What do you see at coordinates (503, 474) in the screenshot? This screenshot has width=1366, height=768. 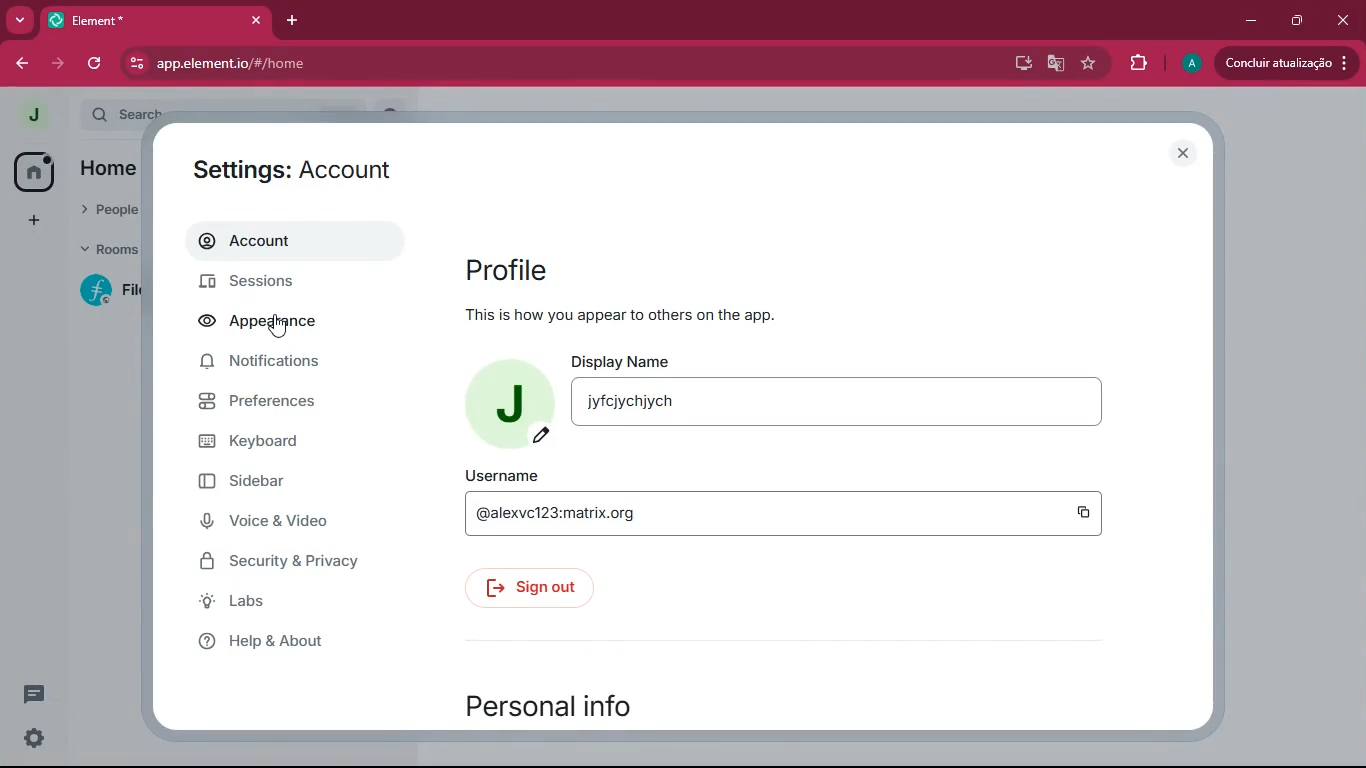 I see `Username` at bounding box center [503, 474].